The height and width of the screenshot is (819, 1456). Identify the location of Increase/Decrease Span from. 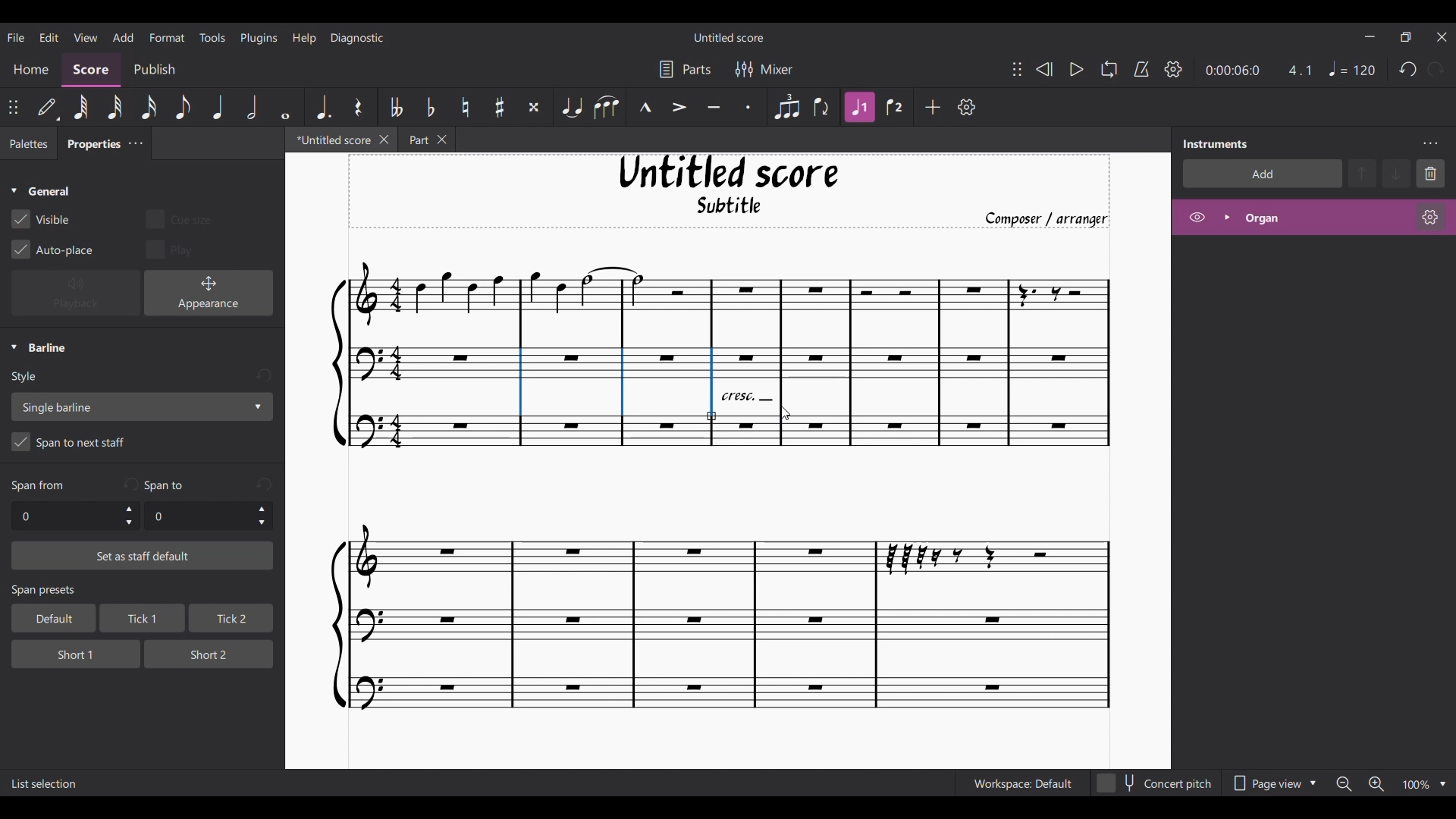
(130, 516).